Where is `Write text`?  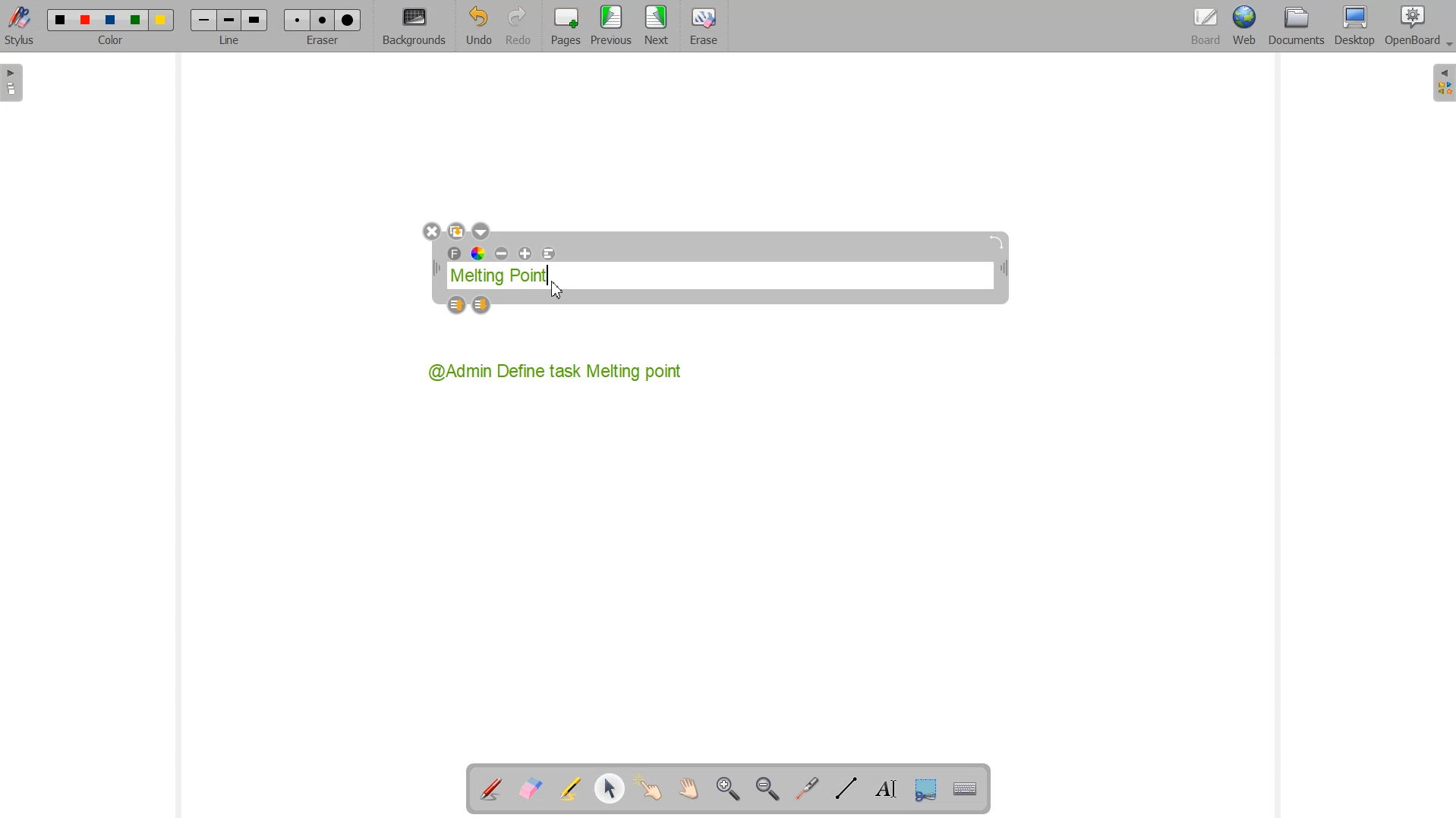 Write text is located at coordinates (882, 787).